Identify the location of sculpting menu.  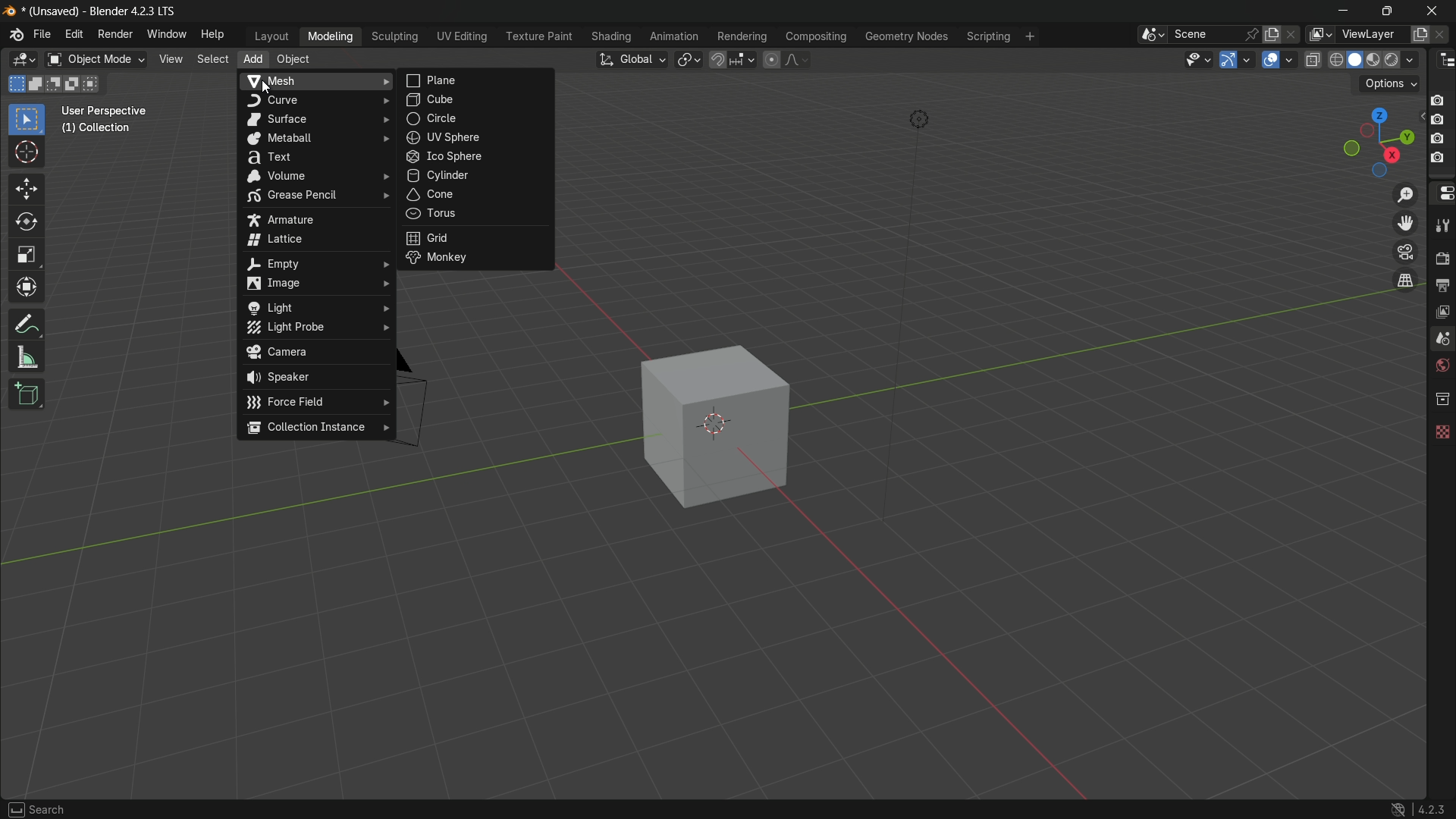
(395, 36).